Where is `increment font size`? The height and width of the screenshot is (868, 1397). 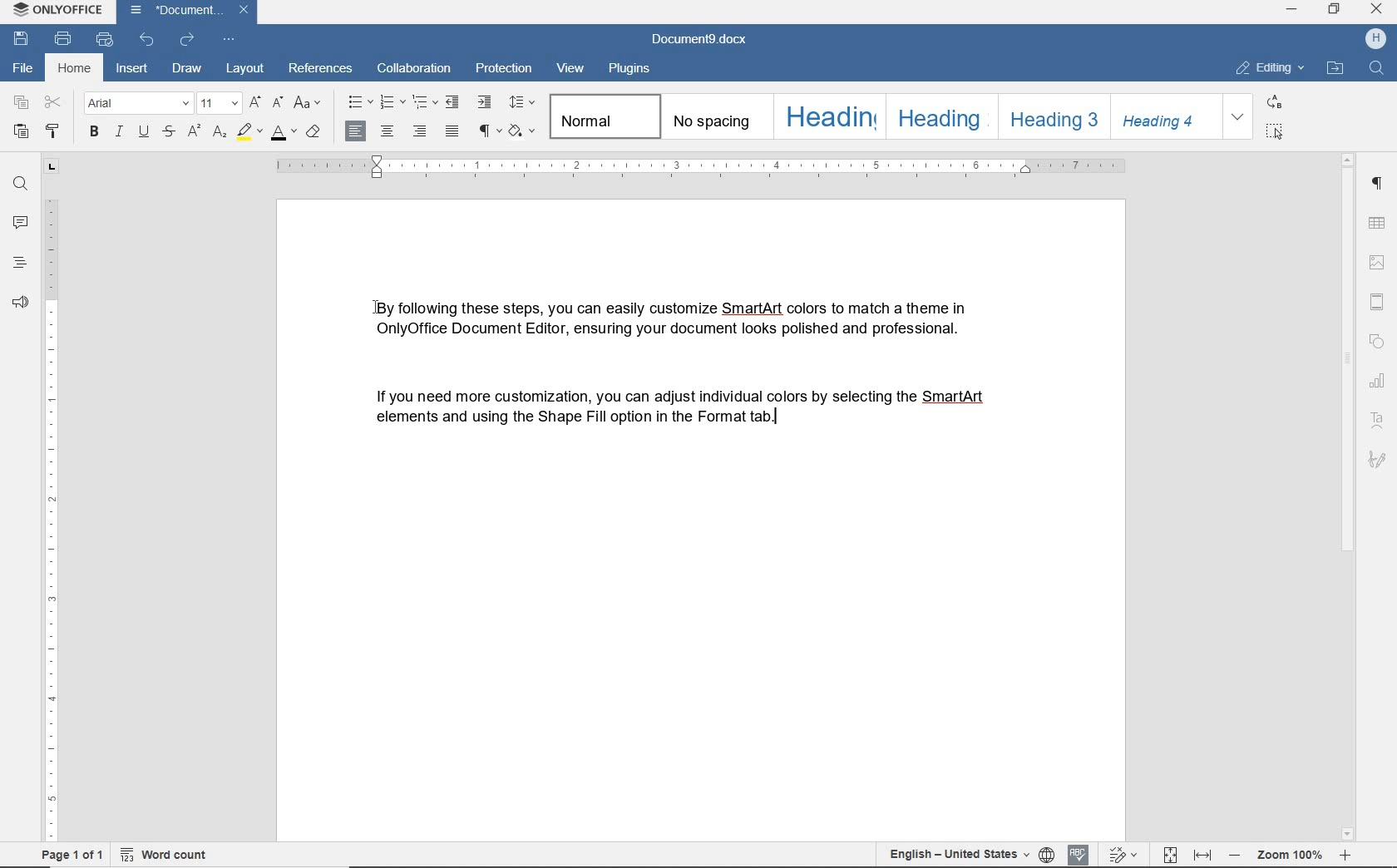
increment font size is located at coordinates (255, 102).